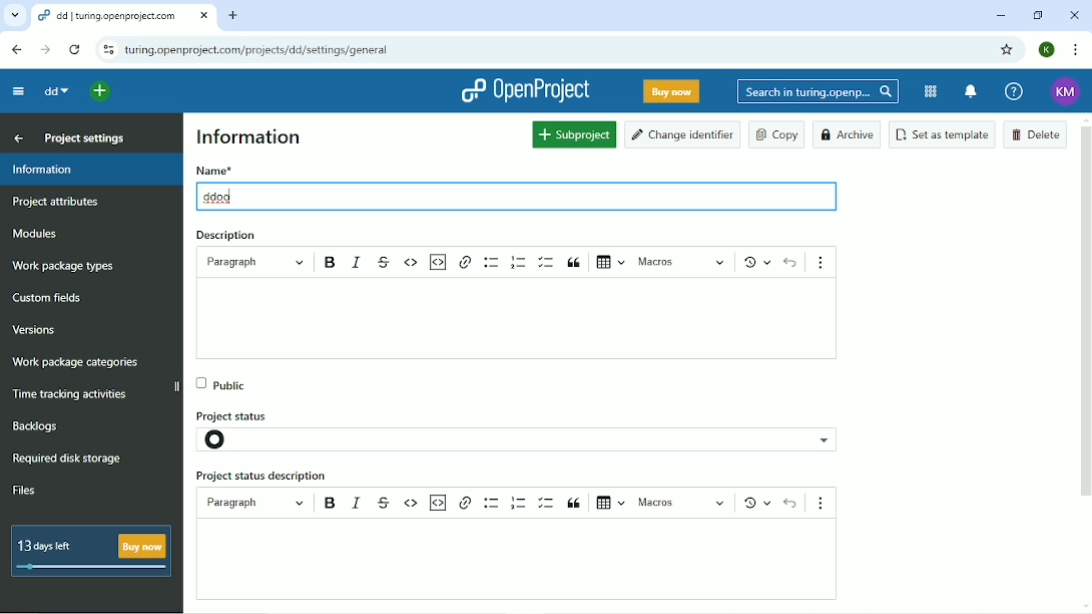 The height and width of the screenshot is (614, 1092). Describe the element at coordinates (67, 460) in the screenshot. I see `Required disk storage` at that location.